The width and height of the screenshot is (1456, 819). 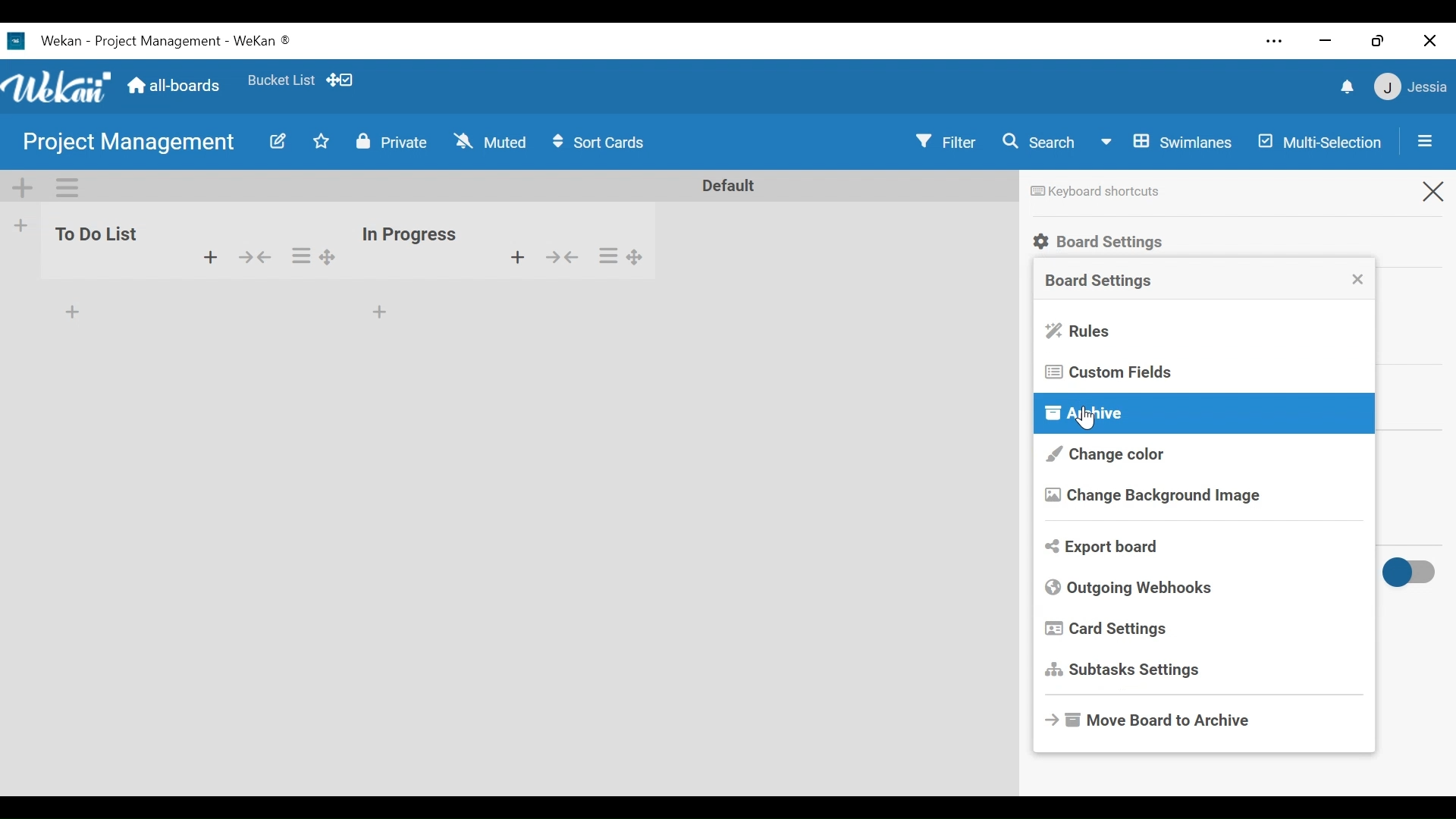 I want to click on Toggle Favorites, so click(x=322, y=142).